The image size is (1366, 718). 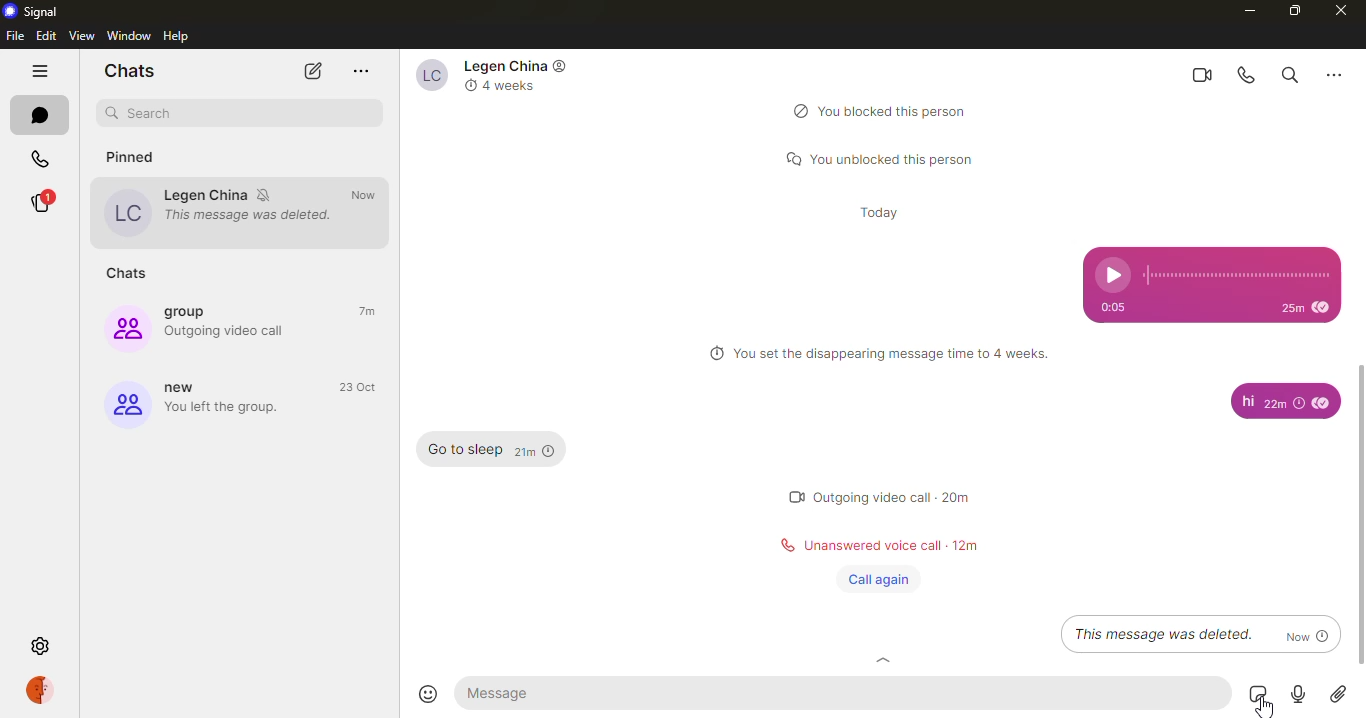 What do you see at coordinates (126, 405) in the screenshot?
I see `new` at bounding box center [126, 405].